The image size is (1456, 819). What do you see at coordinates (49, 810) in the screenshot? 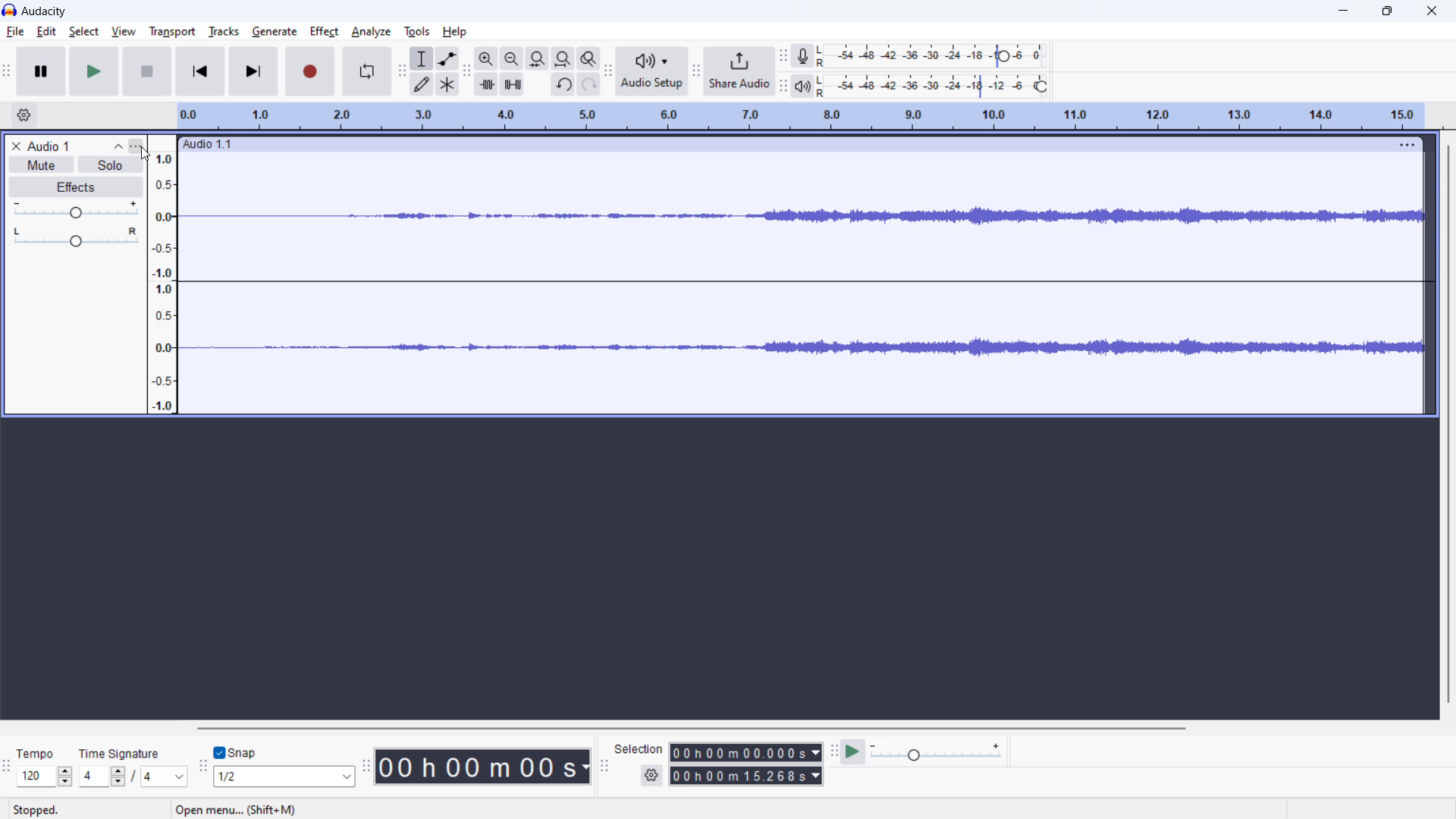
I see `Stopped` at bounding box center [49, 810].